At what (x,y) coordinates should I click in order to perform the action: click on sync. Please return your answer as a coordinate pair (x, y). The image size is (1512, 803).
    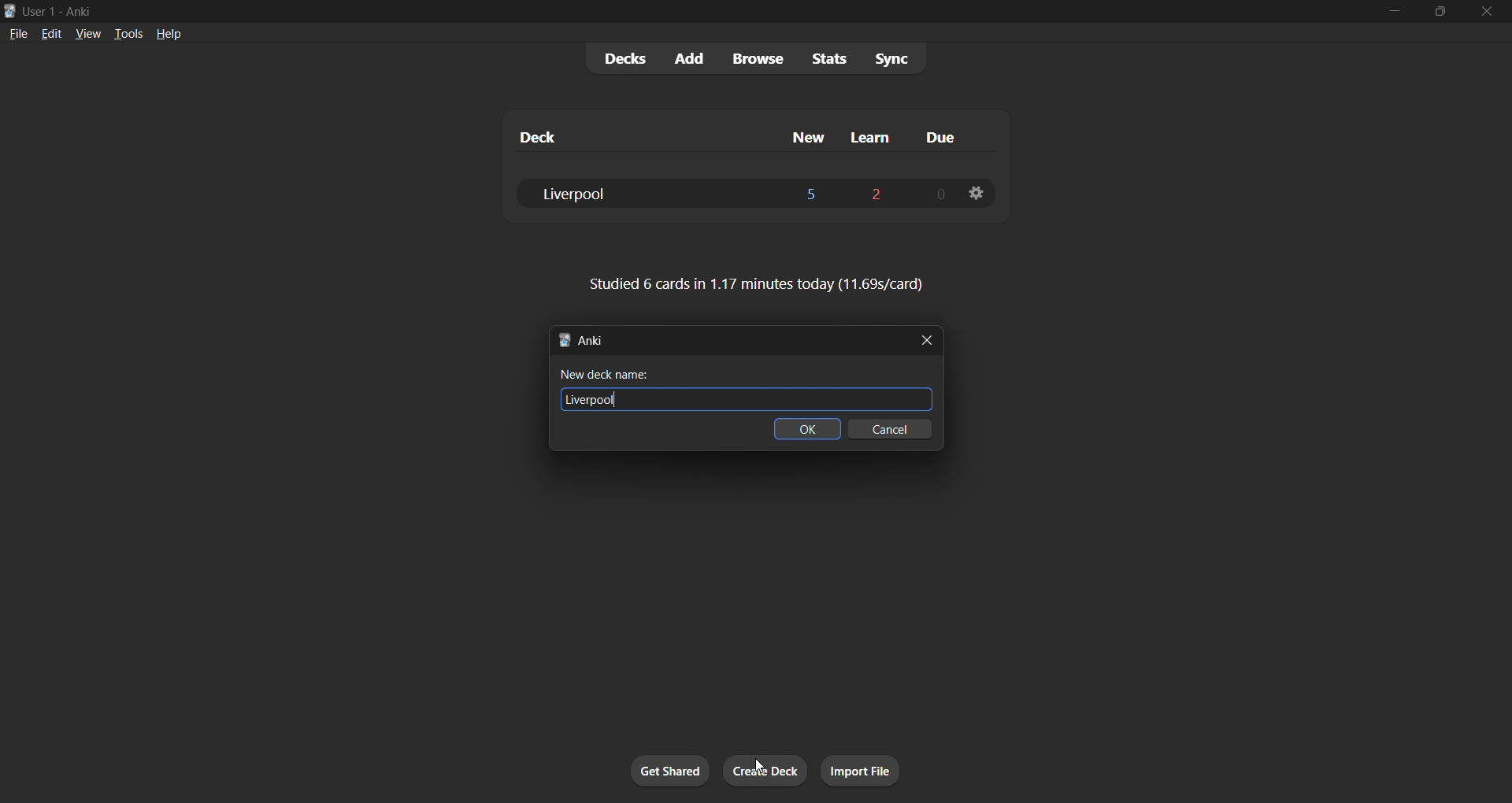
    Looking at the image, I should click on (897, 56).